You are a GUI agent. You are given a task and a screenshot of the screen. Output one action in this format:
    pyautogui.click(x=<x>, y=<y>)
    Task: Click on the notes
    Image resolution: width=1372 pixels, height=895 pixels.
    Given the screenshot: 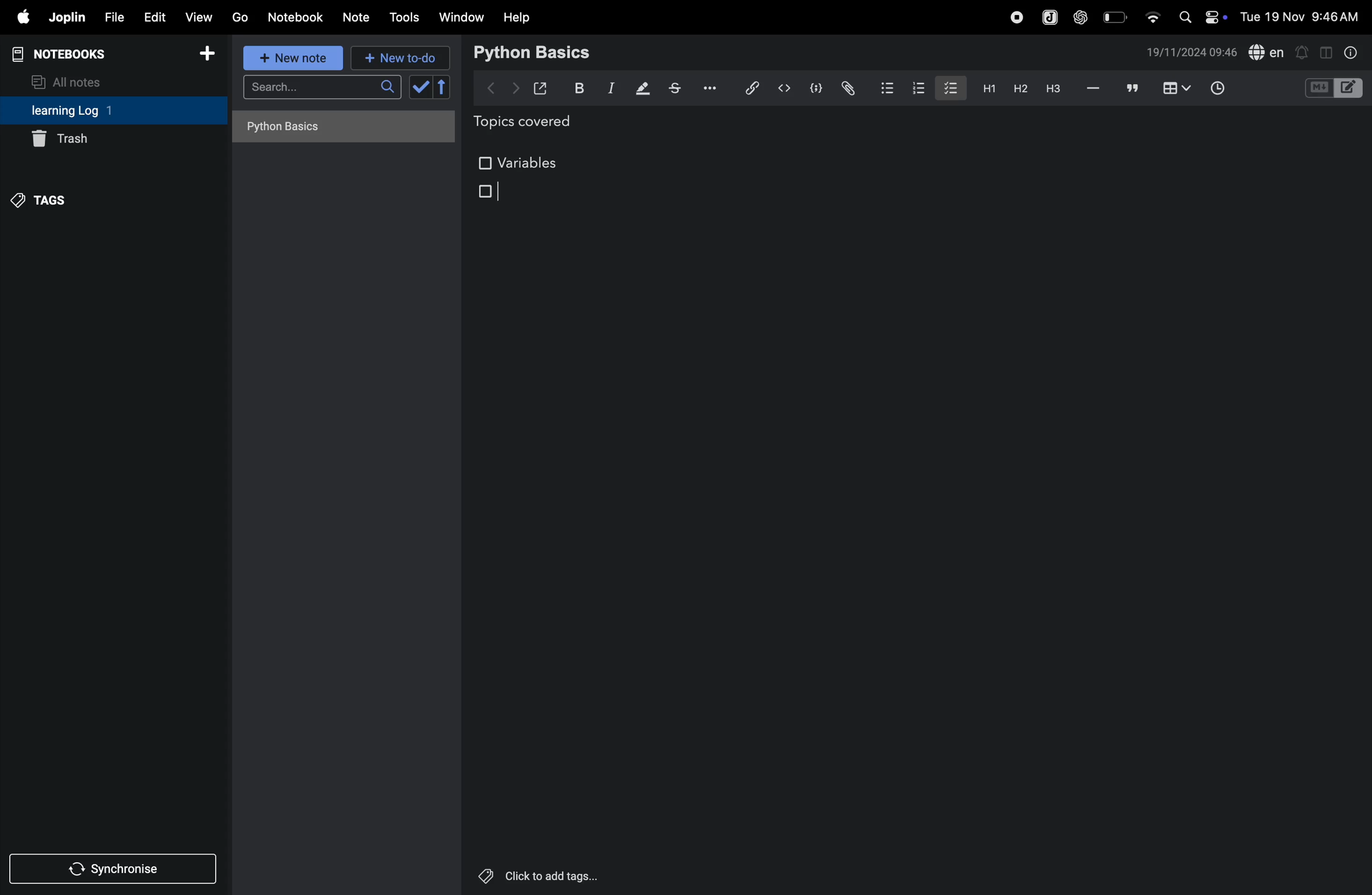 What is the action you would take?
    pyautogui.click(x=357, y=18)
    